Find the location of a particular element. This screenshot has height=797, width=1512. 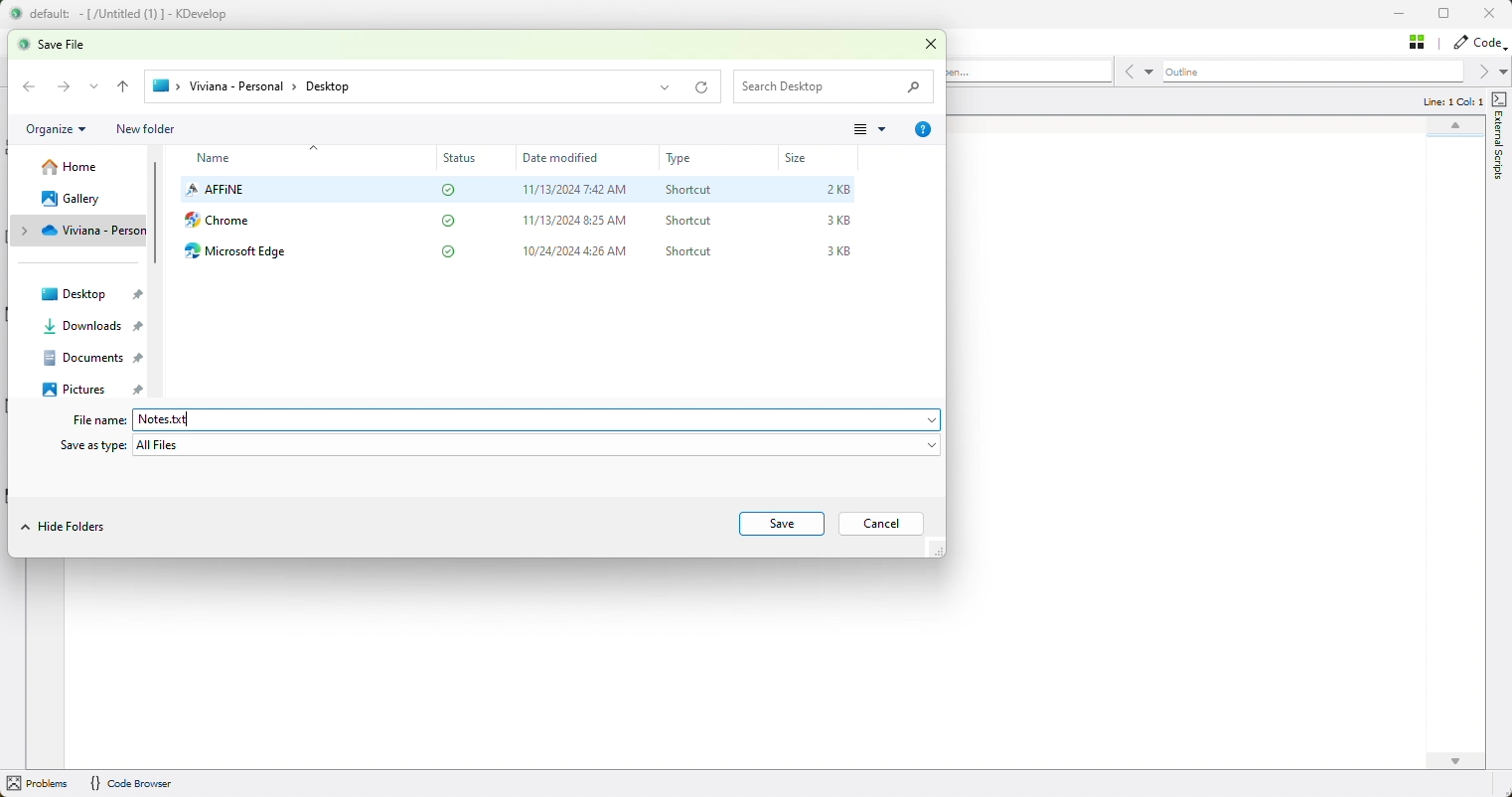

back is located at coordinates (124, 87).